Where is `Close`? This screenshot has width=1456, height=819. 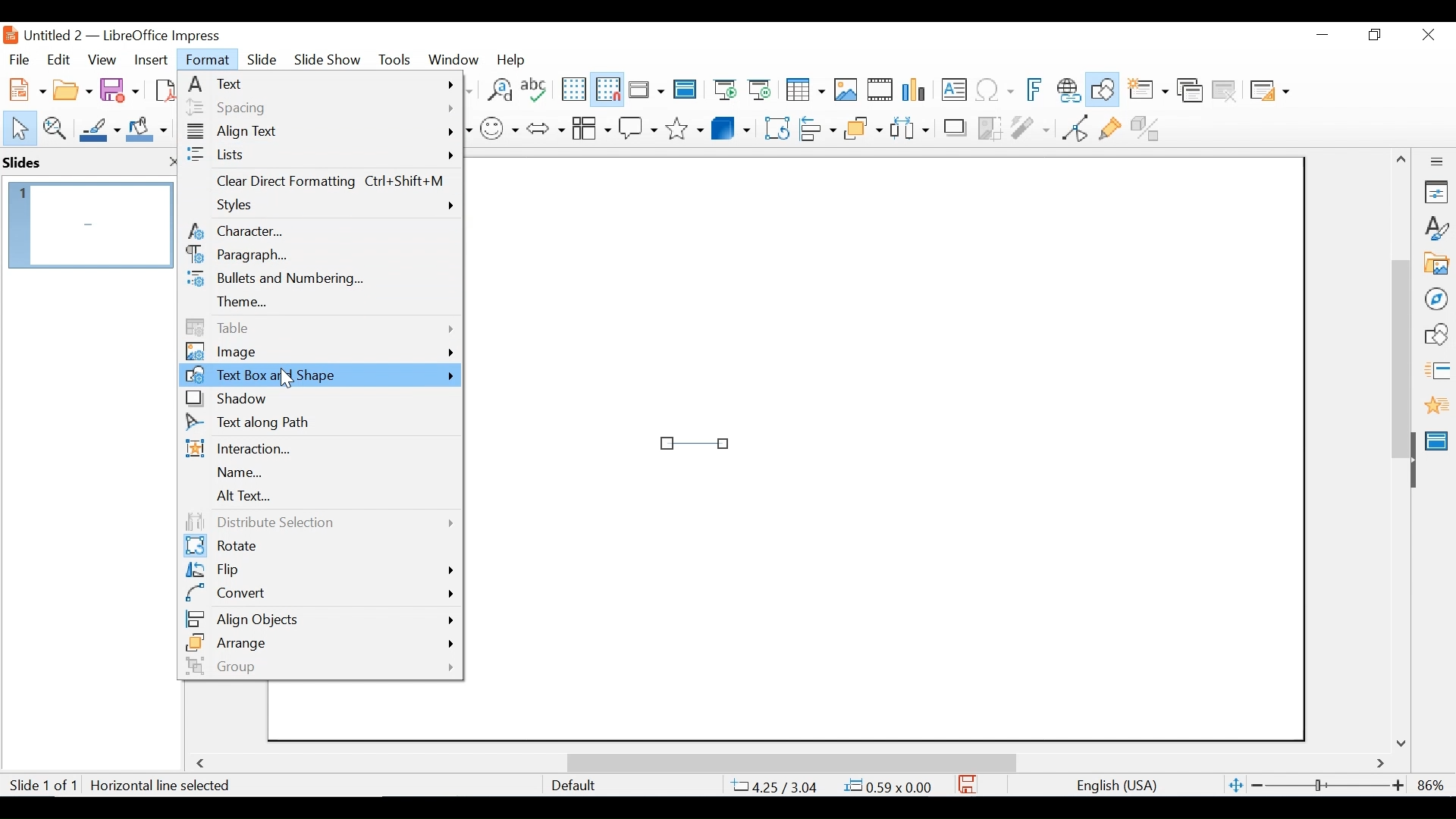 Close is located at coordinates (1426, 36).